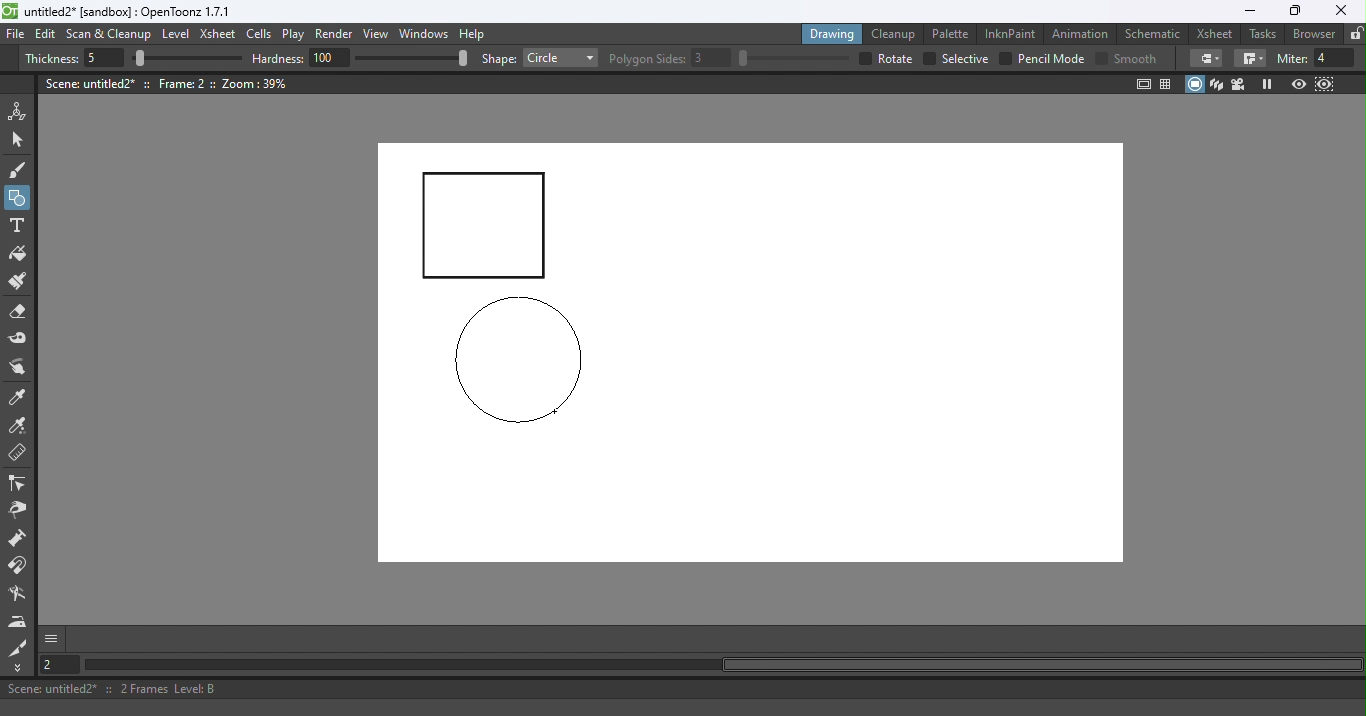 Image resolution: width=1366 pixels, height=716 pixels. What do you see at coordinates (21, 340) in the screenshot?
I see `Tape tool` at bounding box center [21, 340].